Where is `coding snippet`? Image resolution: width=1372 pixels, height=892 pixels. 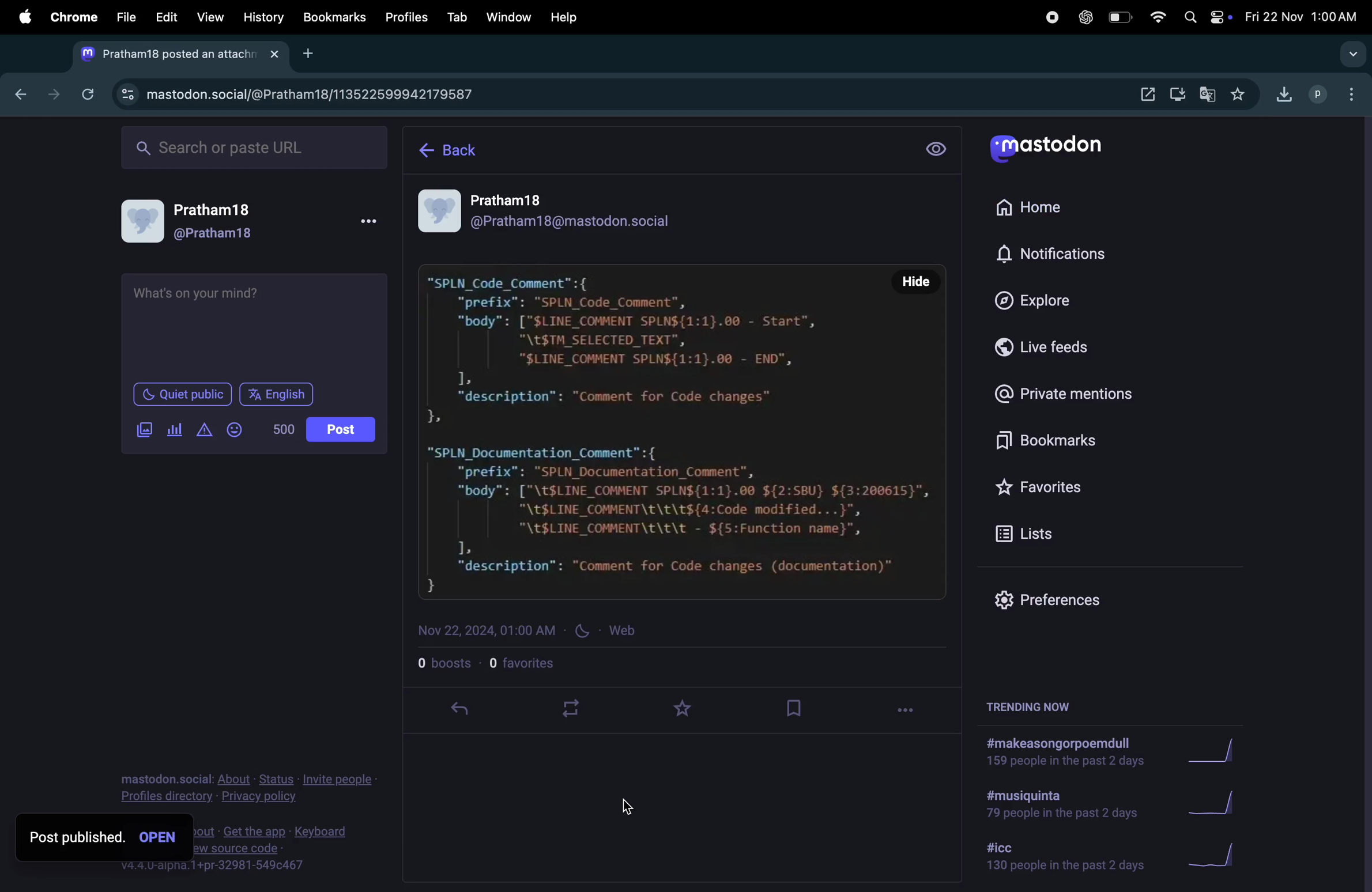 coding snippet is located at coordinates (683, 433).